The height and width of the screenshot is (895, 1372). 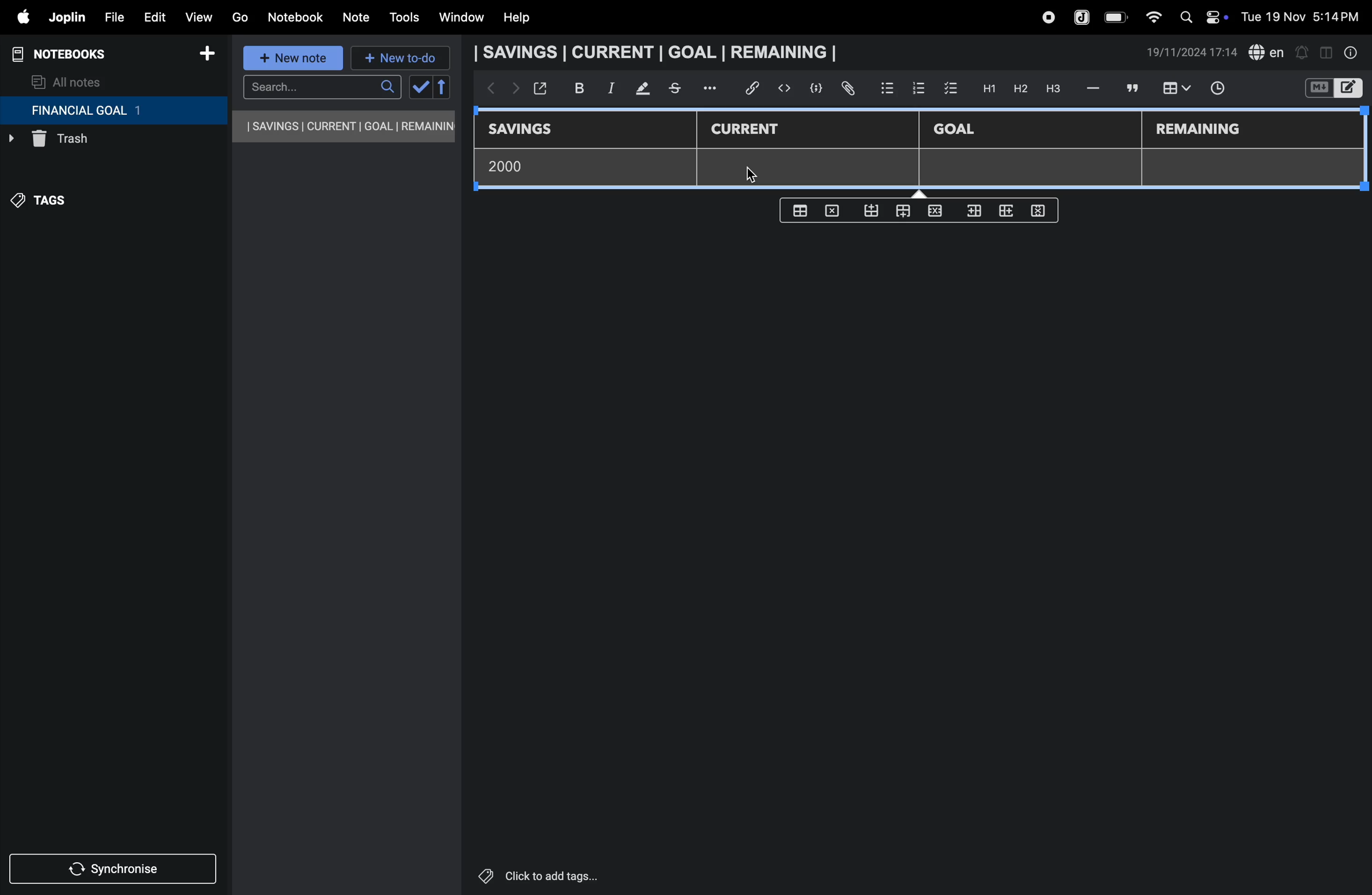 I want to click on date and time, so click(x=1192, y=52).